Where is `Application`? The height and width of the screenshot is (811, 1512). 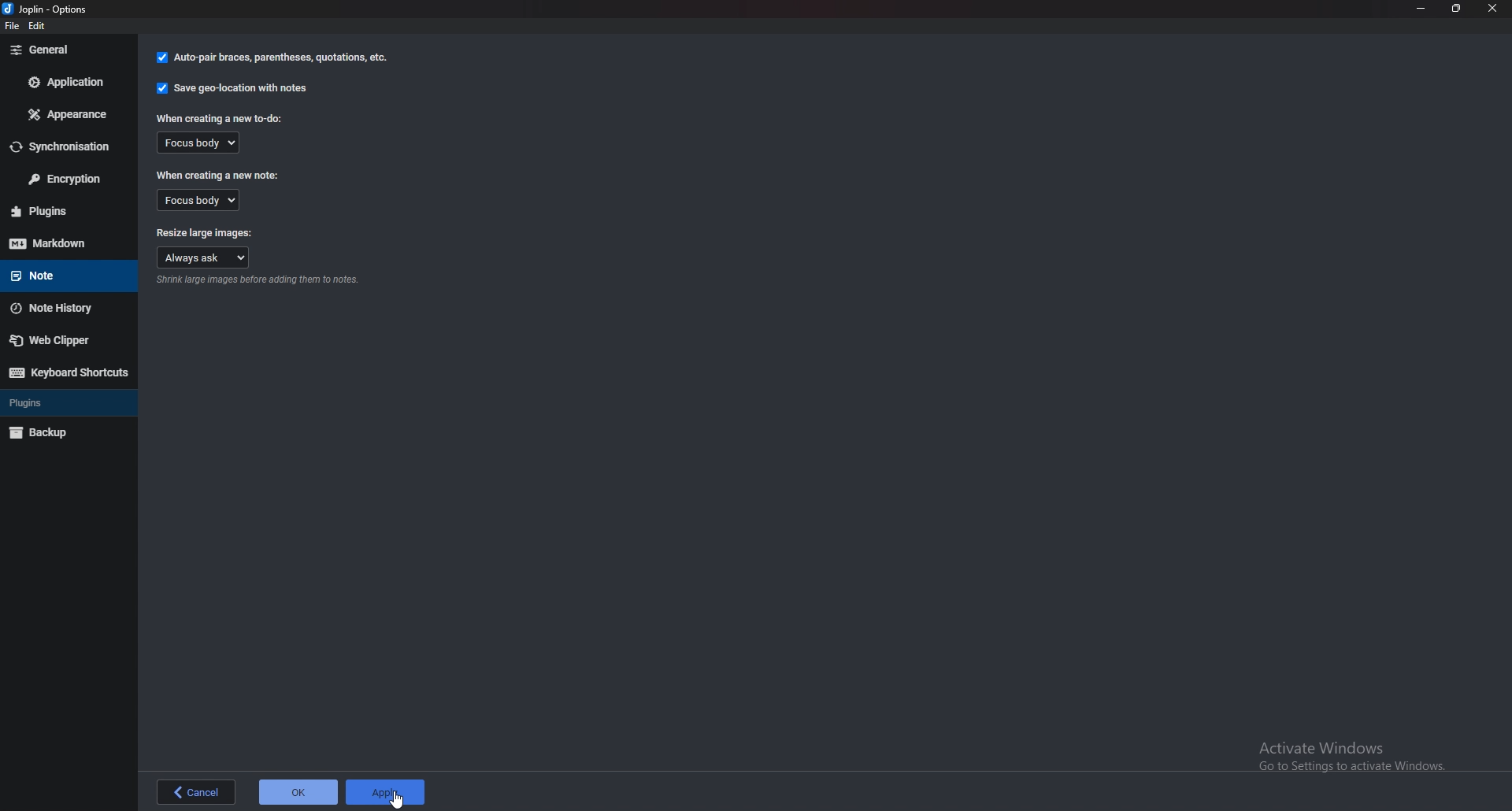
Application is located at coordinates (68, 82).